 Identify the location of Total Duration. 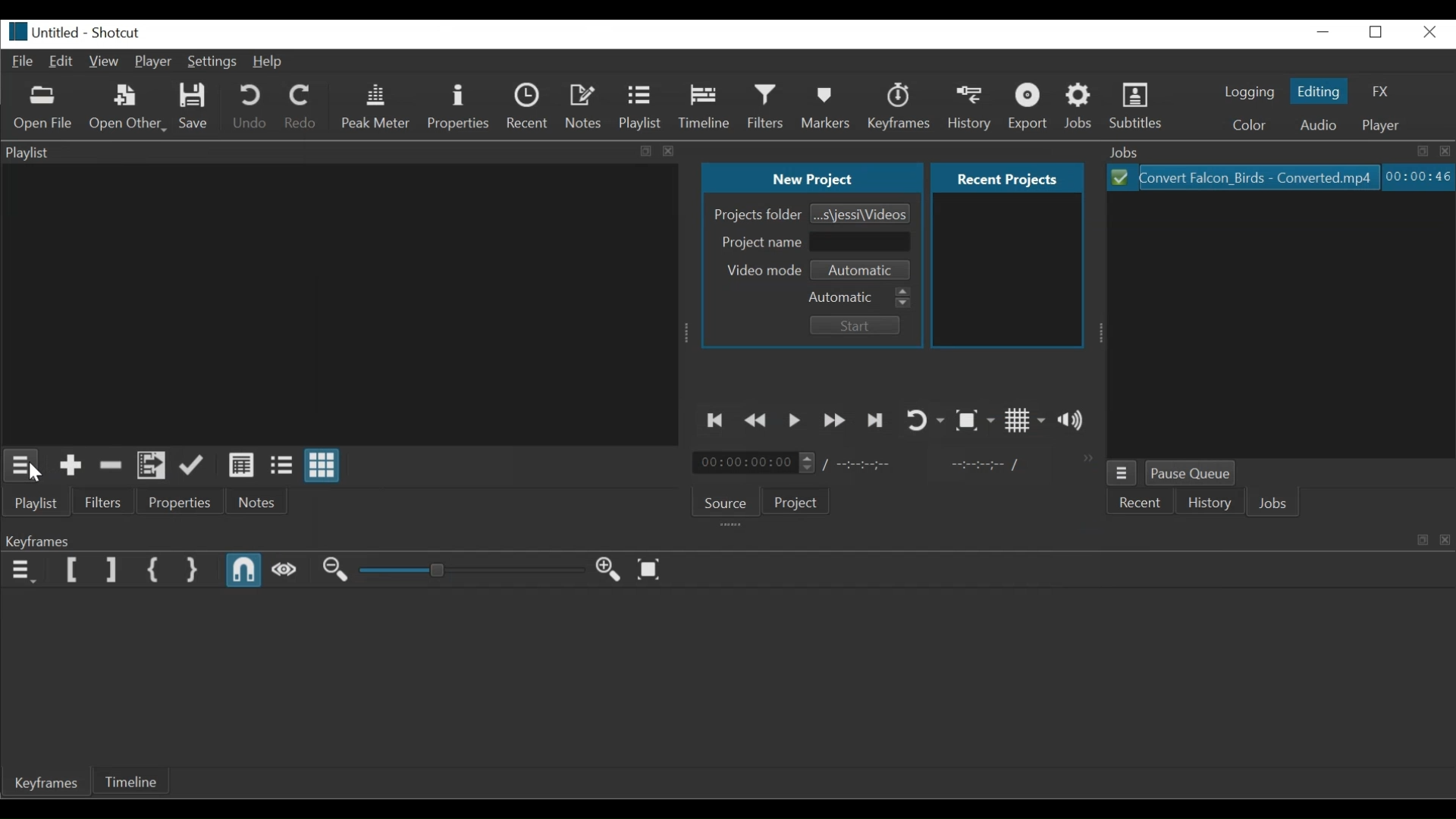
(861, 466).